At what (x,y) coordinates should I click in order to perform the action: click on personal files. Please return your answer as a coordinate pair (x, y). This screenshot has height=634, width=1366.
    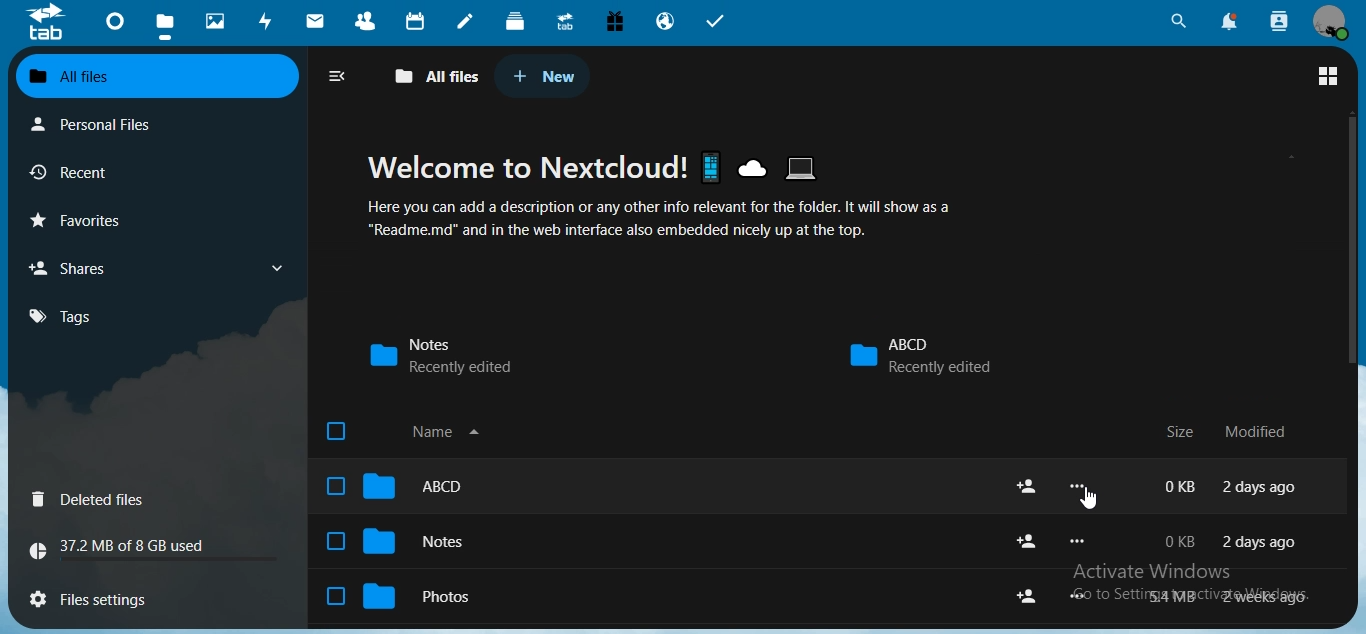
    Looking at the image, I should click on (93, 125).